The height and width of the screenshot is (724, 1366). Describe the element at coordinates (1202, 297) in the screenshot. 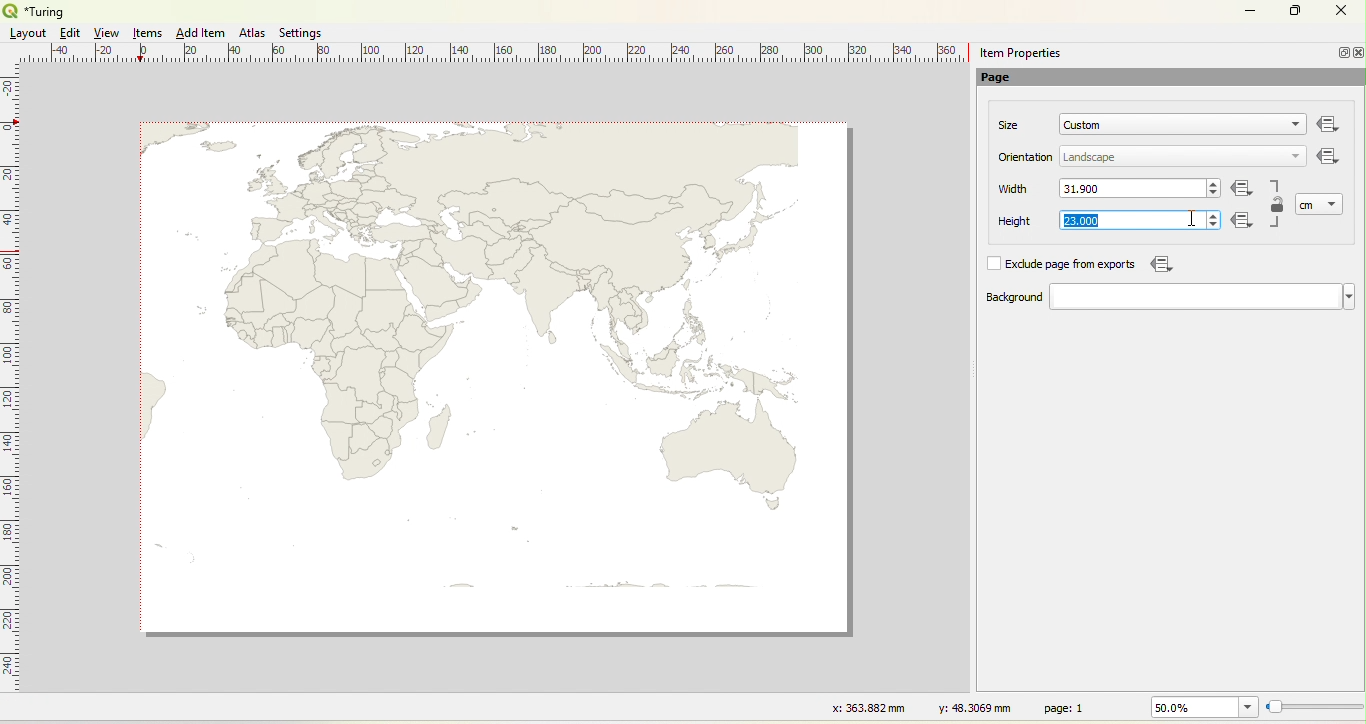

I see `dropdown` at that location.